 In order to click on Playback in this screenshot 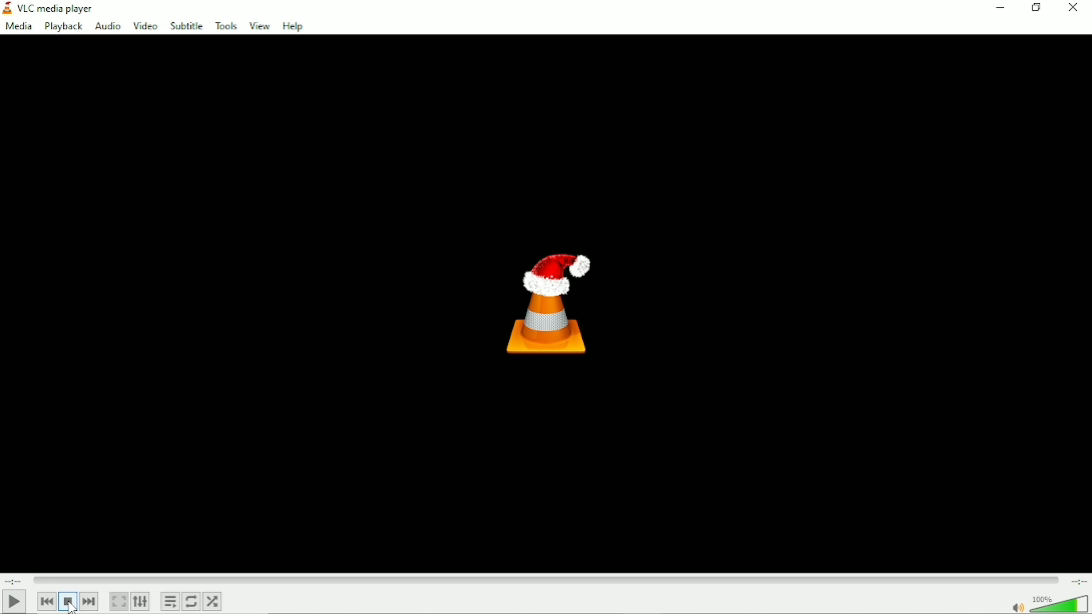, I will do `click(64, 26)`.